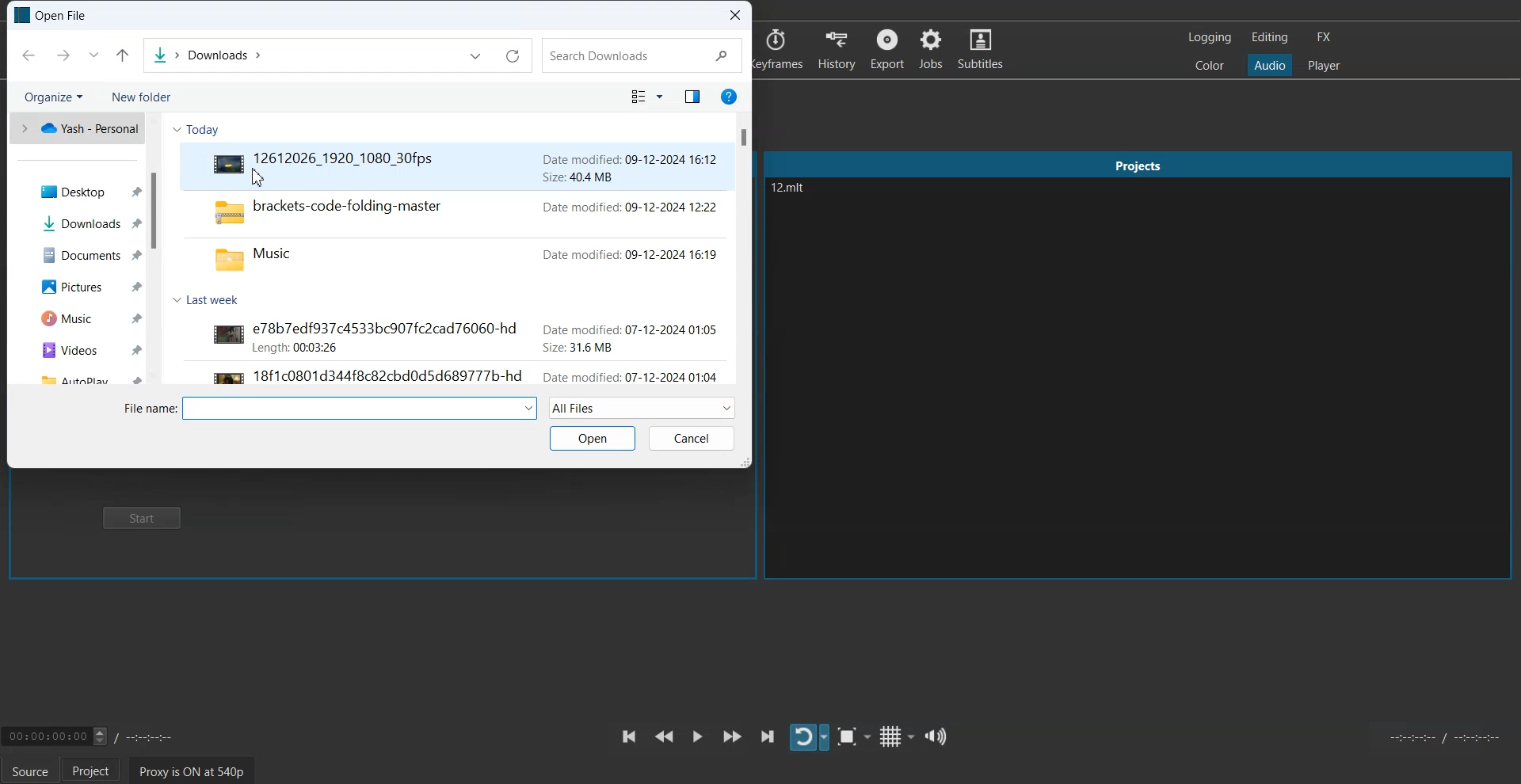 The image size is (1521, 784). What do you see at coordinates (200, 130) in the screenshot?
I see `Today` at bounding box center [200, 130].